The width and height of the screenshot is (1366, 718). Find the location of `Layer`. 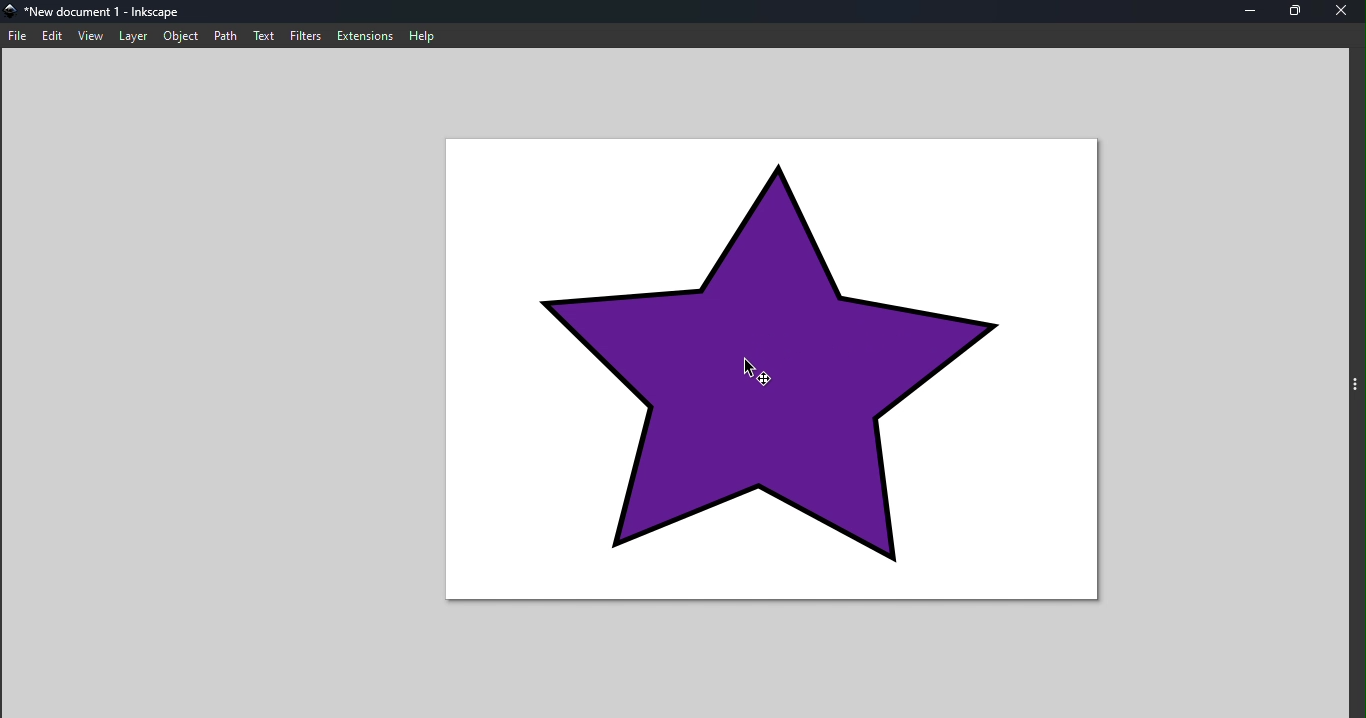

Layer is located at coordinates (131, 36).